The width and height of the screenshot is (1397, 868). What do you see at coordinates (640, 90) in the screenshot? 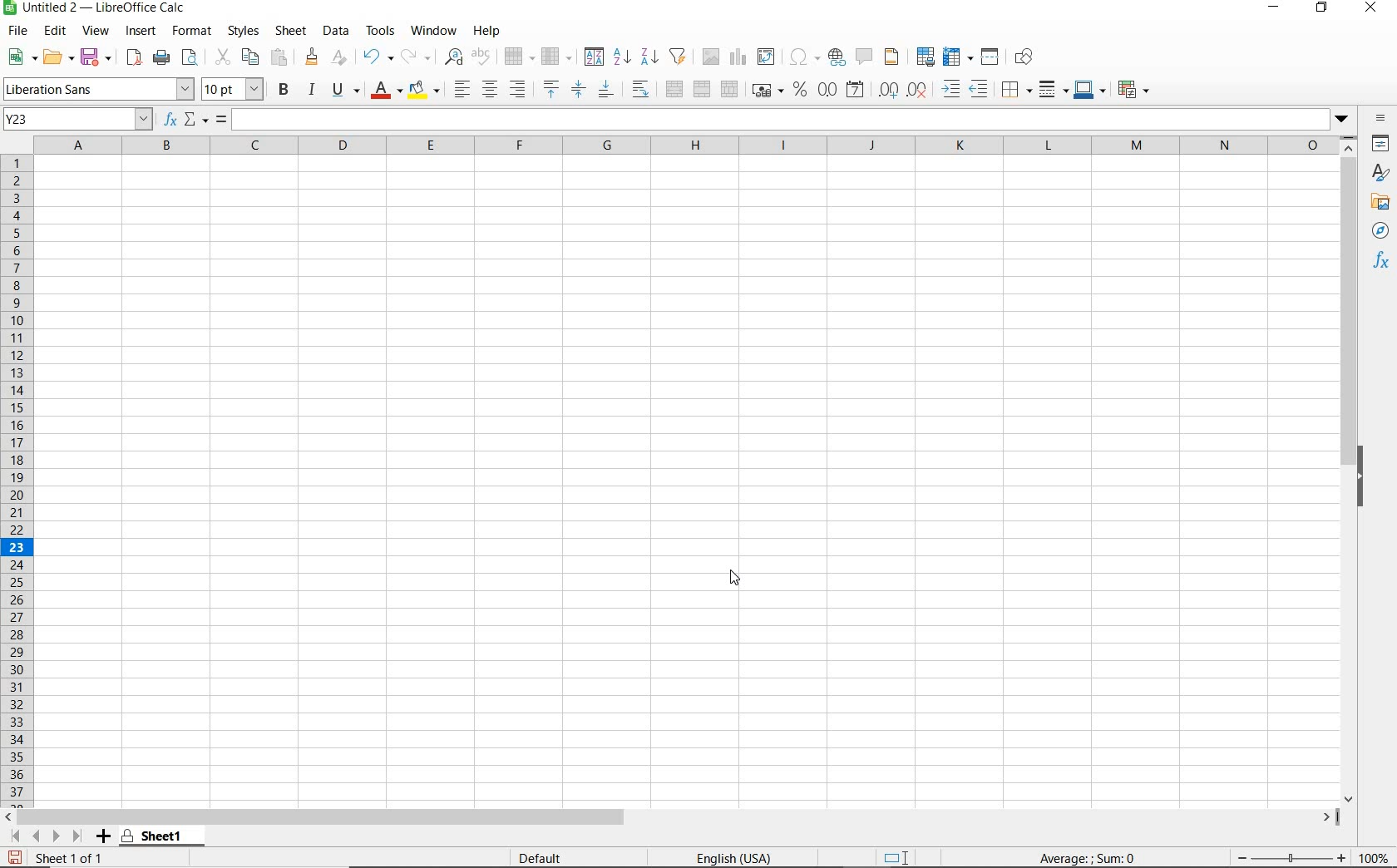
I see `WRAP TEXT` at bounding box center [640, 90].